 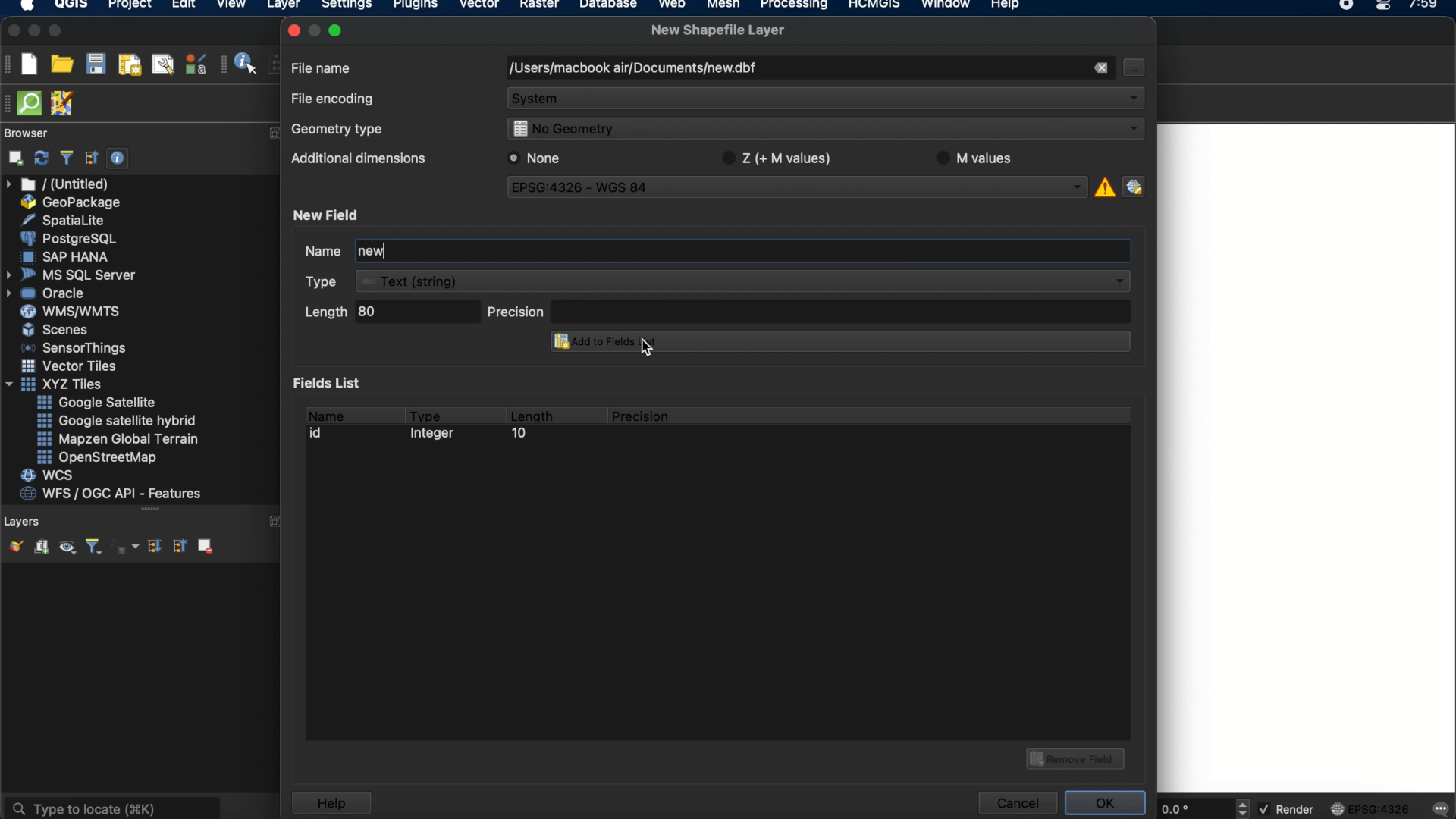 What do you see at coordinates (315, 30) in the screenshot?
I see `inactive minimize icon` at bounding box center [315, 30].